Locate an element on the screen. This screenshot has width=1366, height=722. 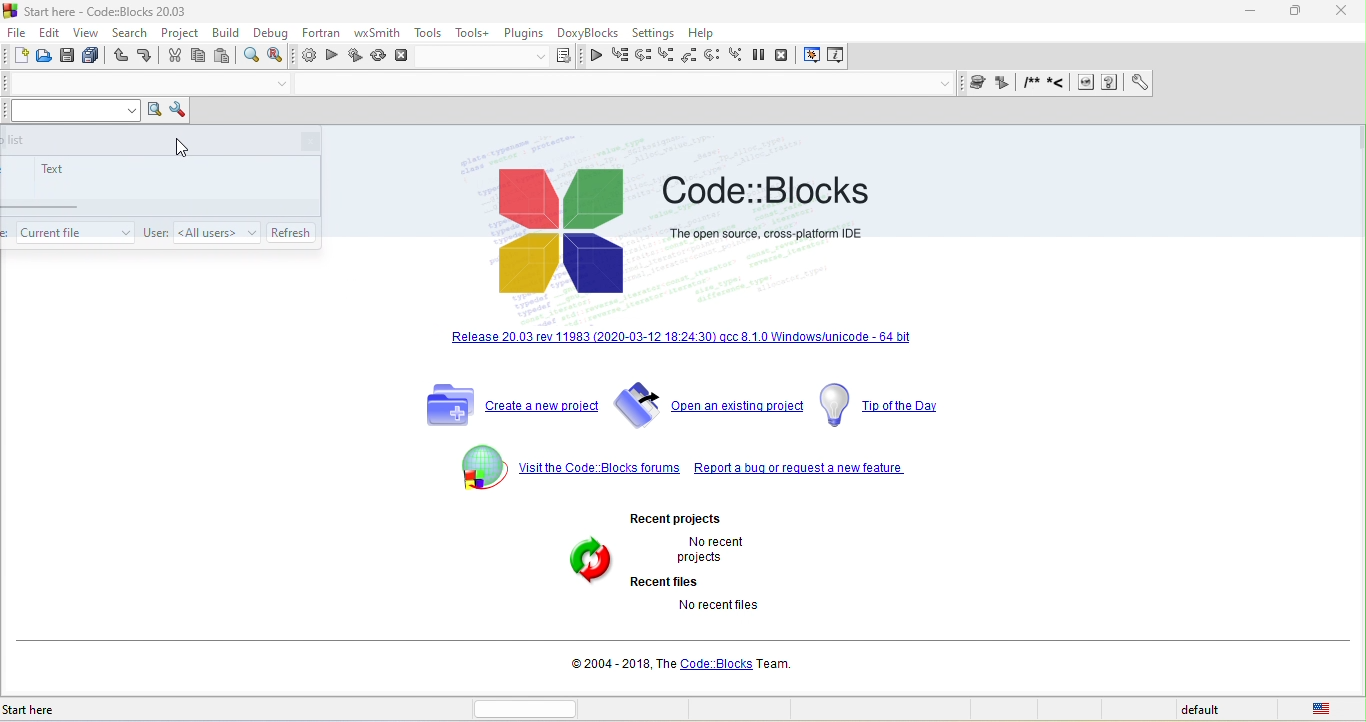
visit the code ; blocks forums report a bug or request a new feature is located at coordinates (683, 469).